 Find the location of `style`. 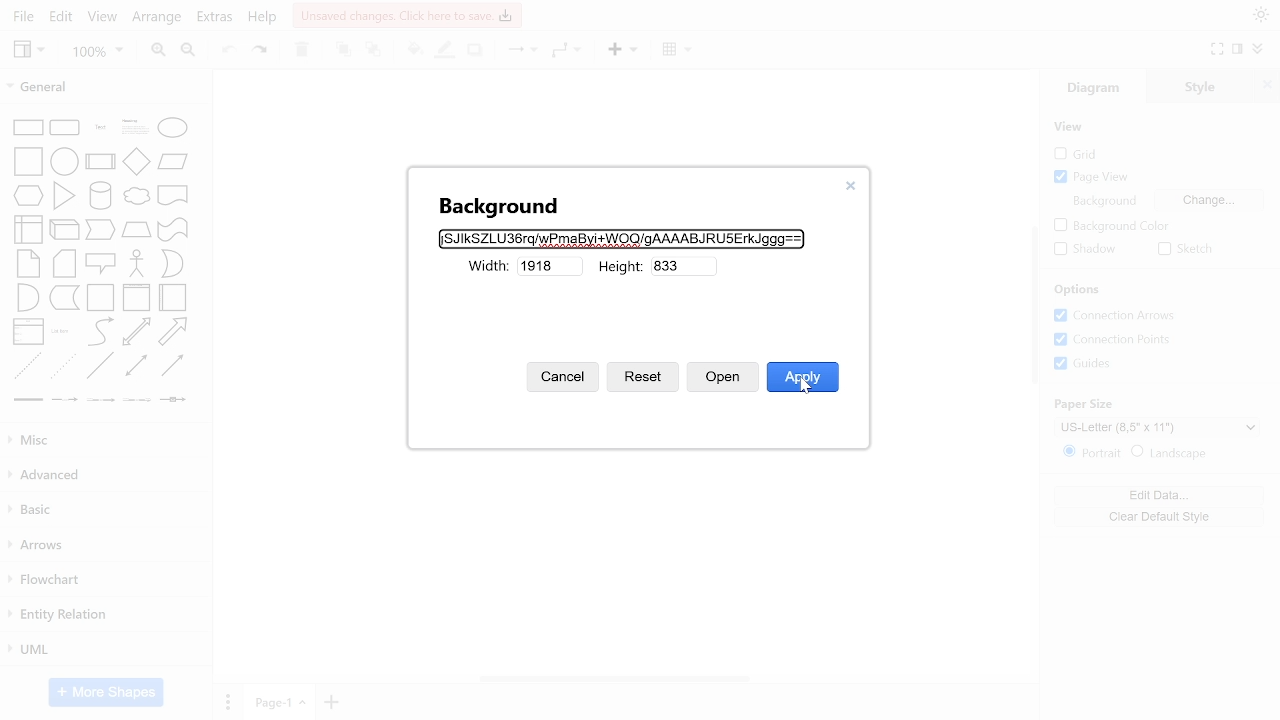

style is located at coordinates (1206, 86).